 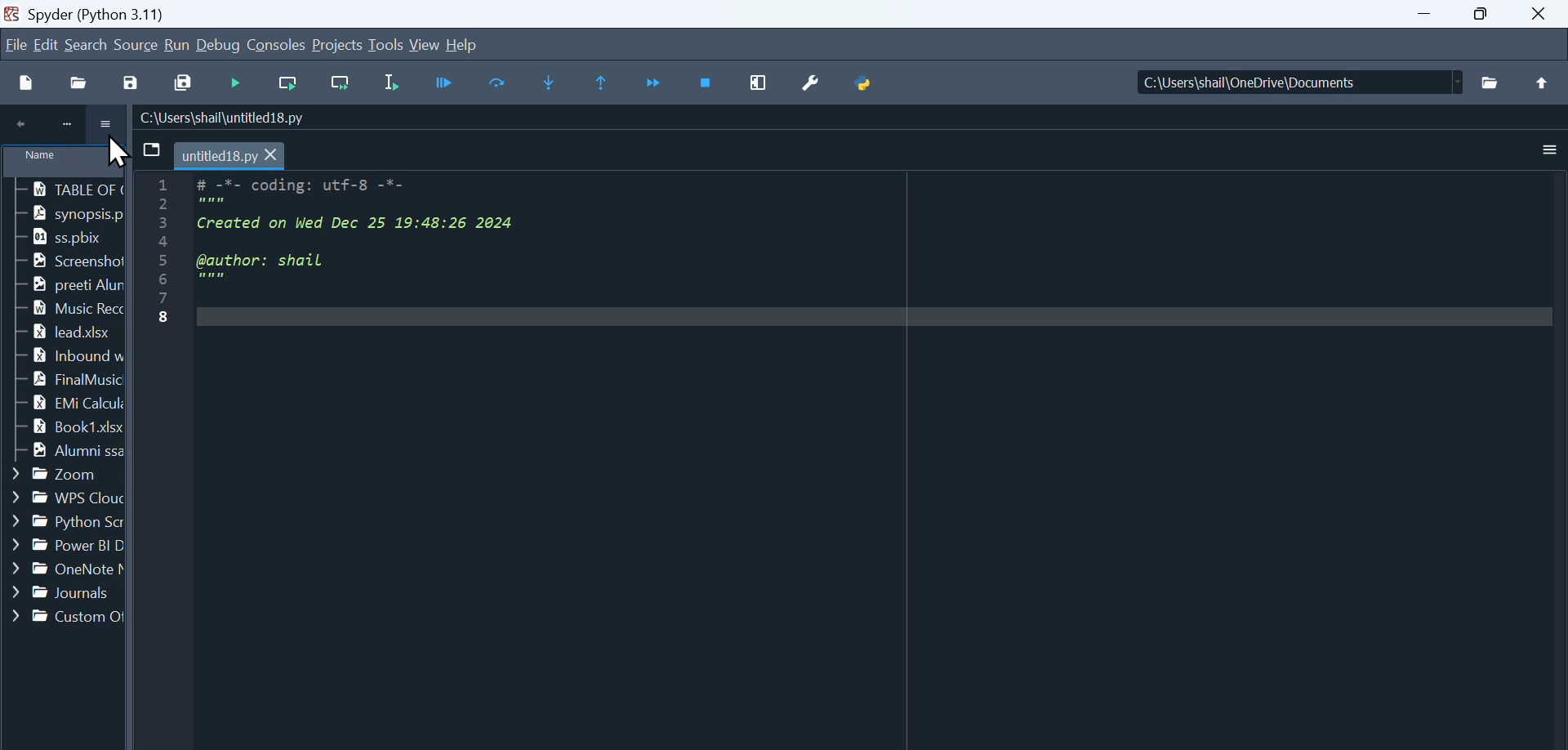 I want to click on synopsis.p.., so click(x=69, y=212).